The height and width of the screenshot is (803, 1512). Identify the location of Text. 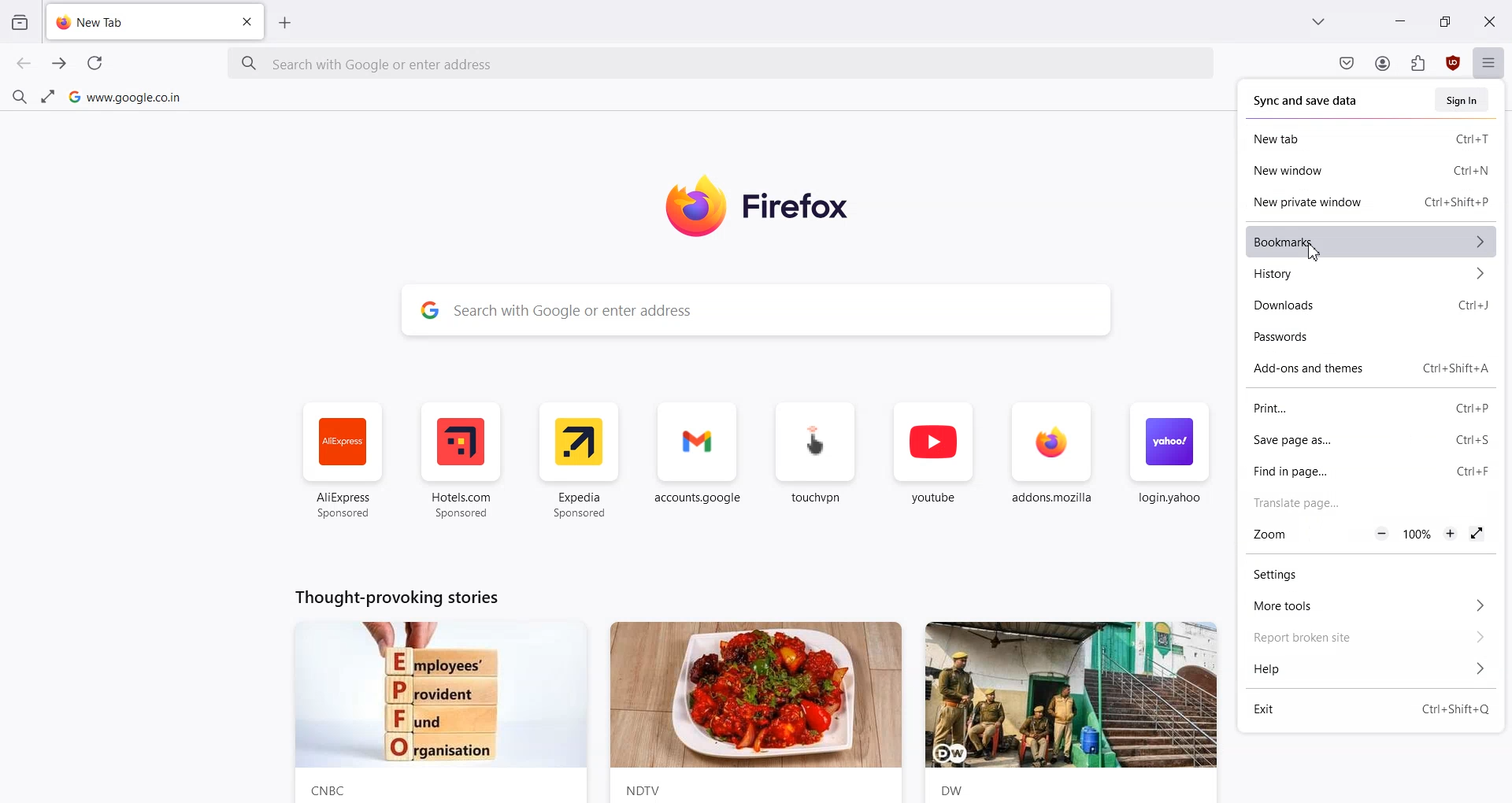
(394, 596).